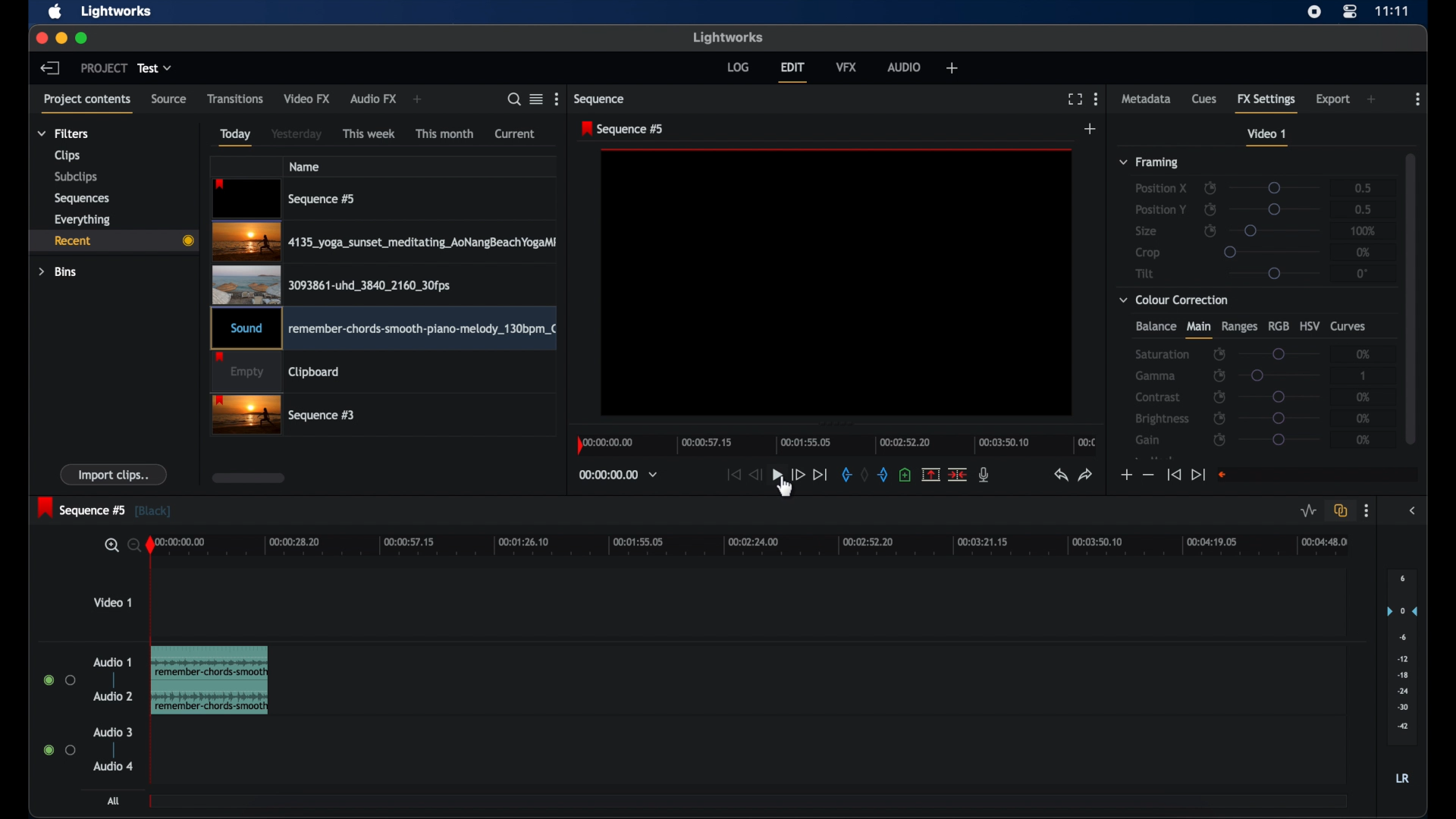  Describe the element at coordinates (931, 473) in the screenshot. I see `remove marked section` at that location.